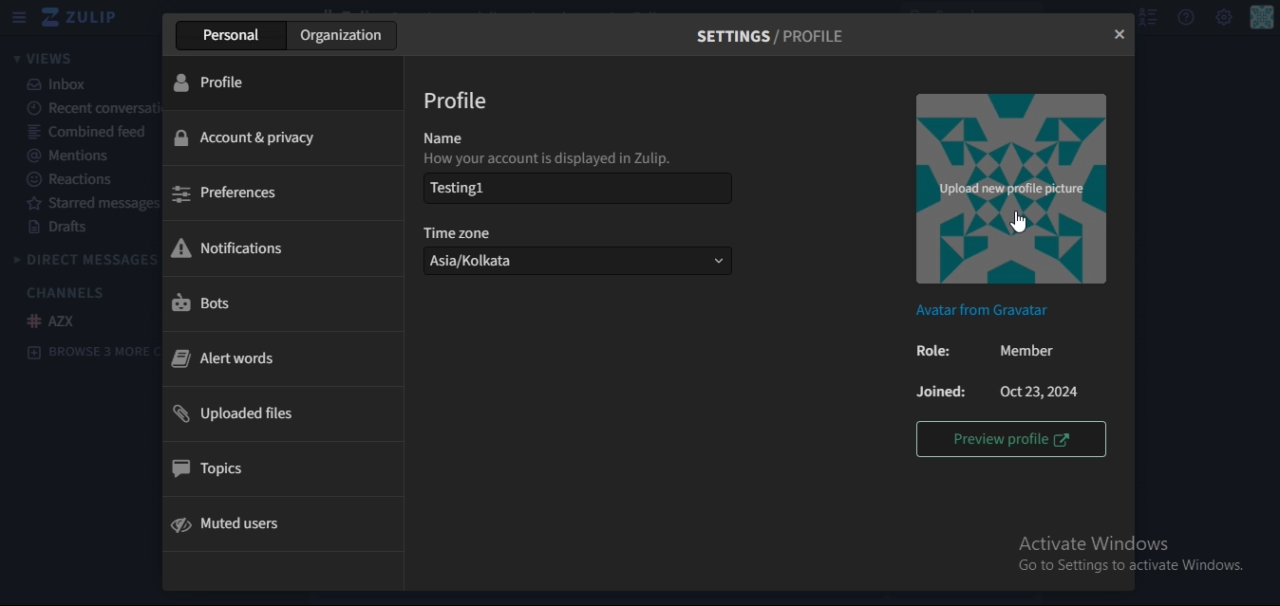 The height and width of the screenshot is (606, 1280). Describe the element at coordinates (64, 227) in the screenshot. I see `drafts` at that location.